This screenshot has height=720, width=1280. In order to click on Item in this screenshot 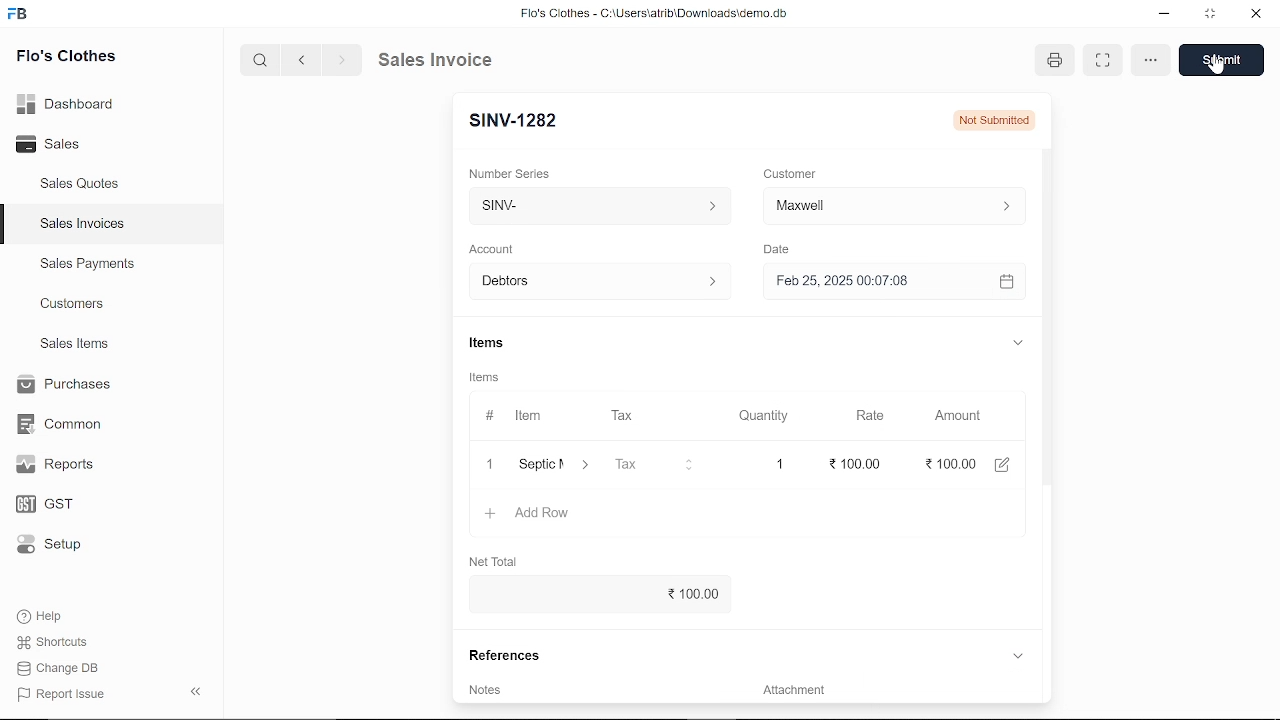, I will do `click(550, 465)`.